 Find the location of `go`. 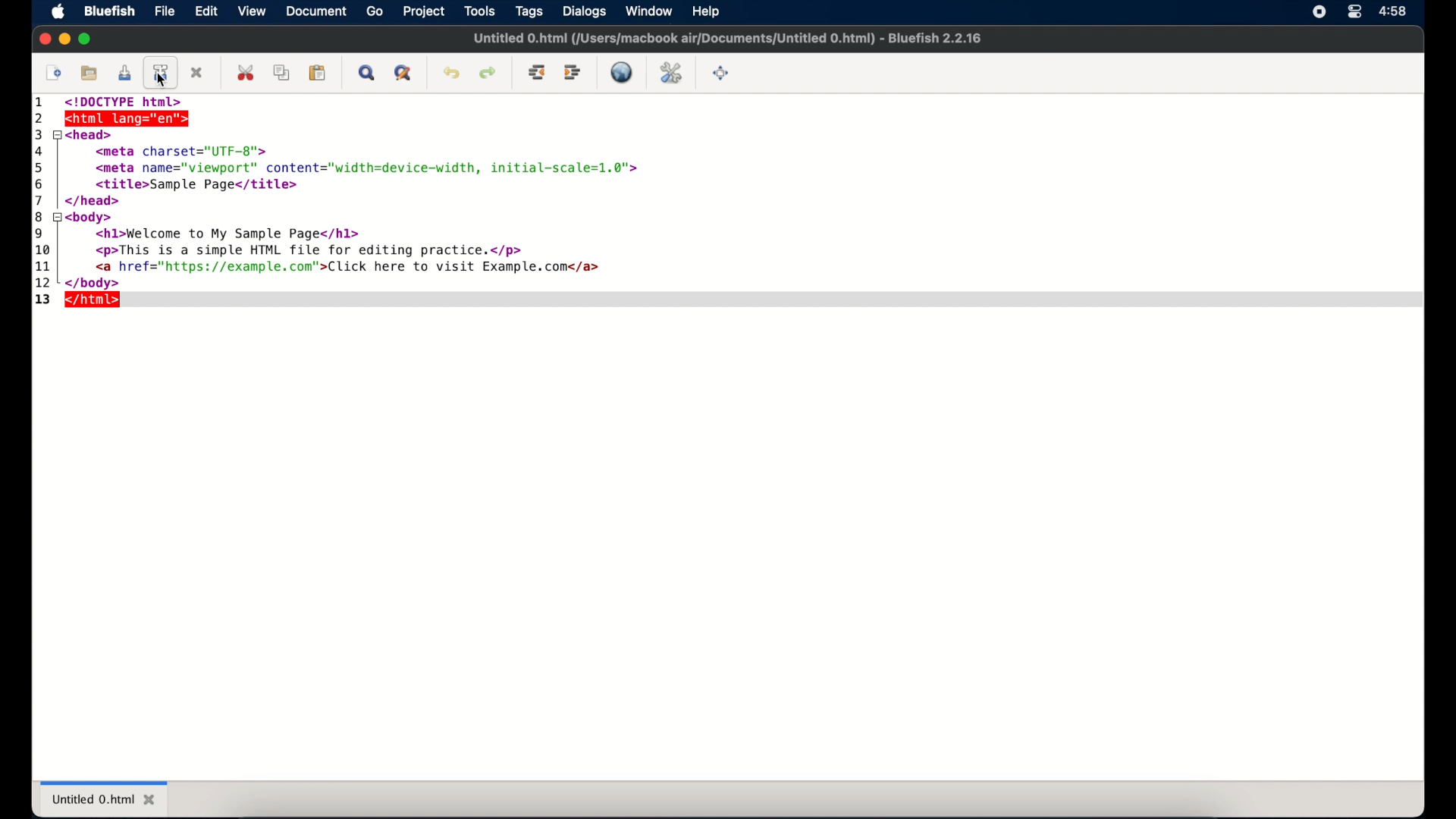

go is located at coordinates (375, 11).